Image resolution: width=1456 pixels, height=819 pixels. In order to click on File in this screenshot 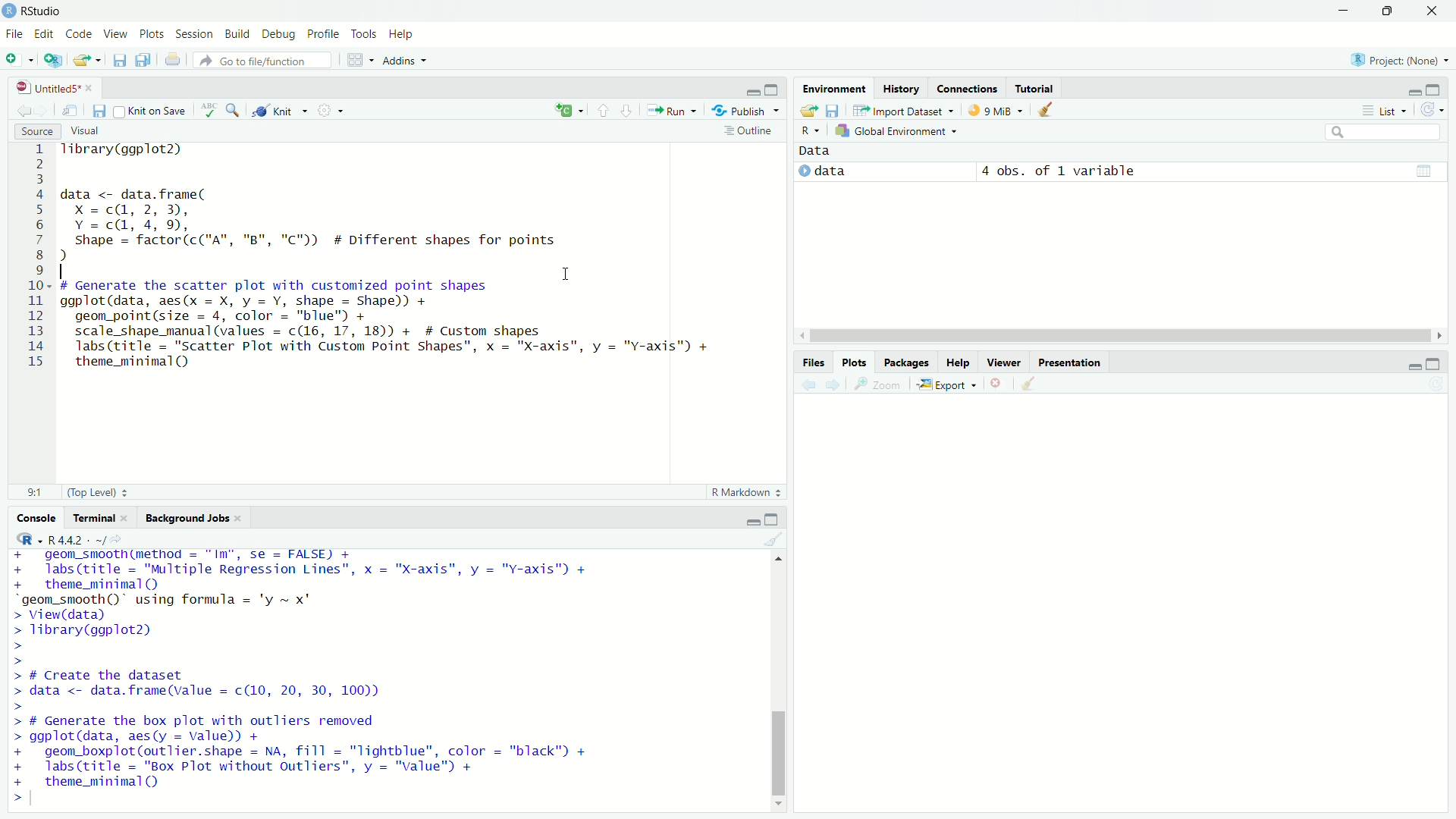, I will do `click(14, 33)`.